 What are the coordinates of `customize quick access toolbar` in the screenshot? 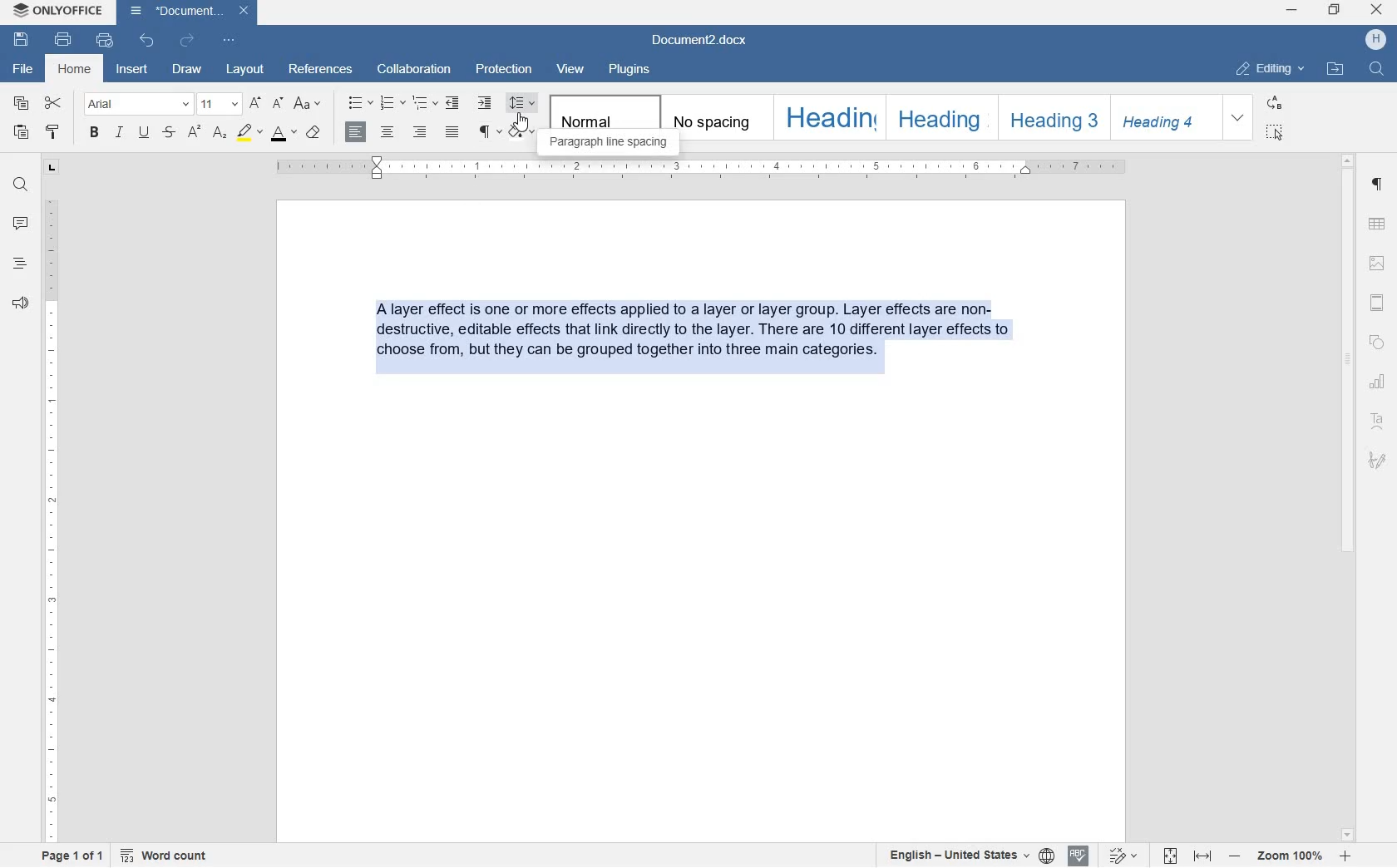 It's located at (230, 42).